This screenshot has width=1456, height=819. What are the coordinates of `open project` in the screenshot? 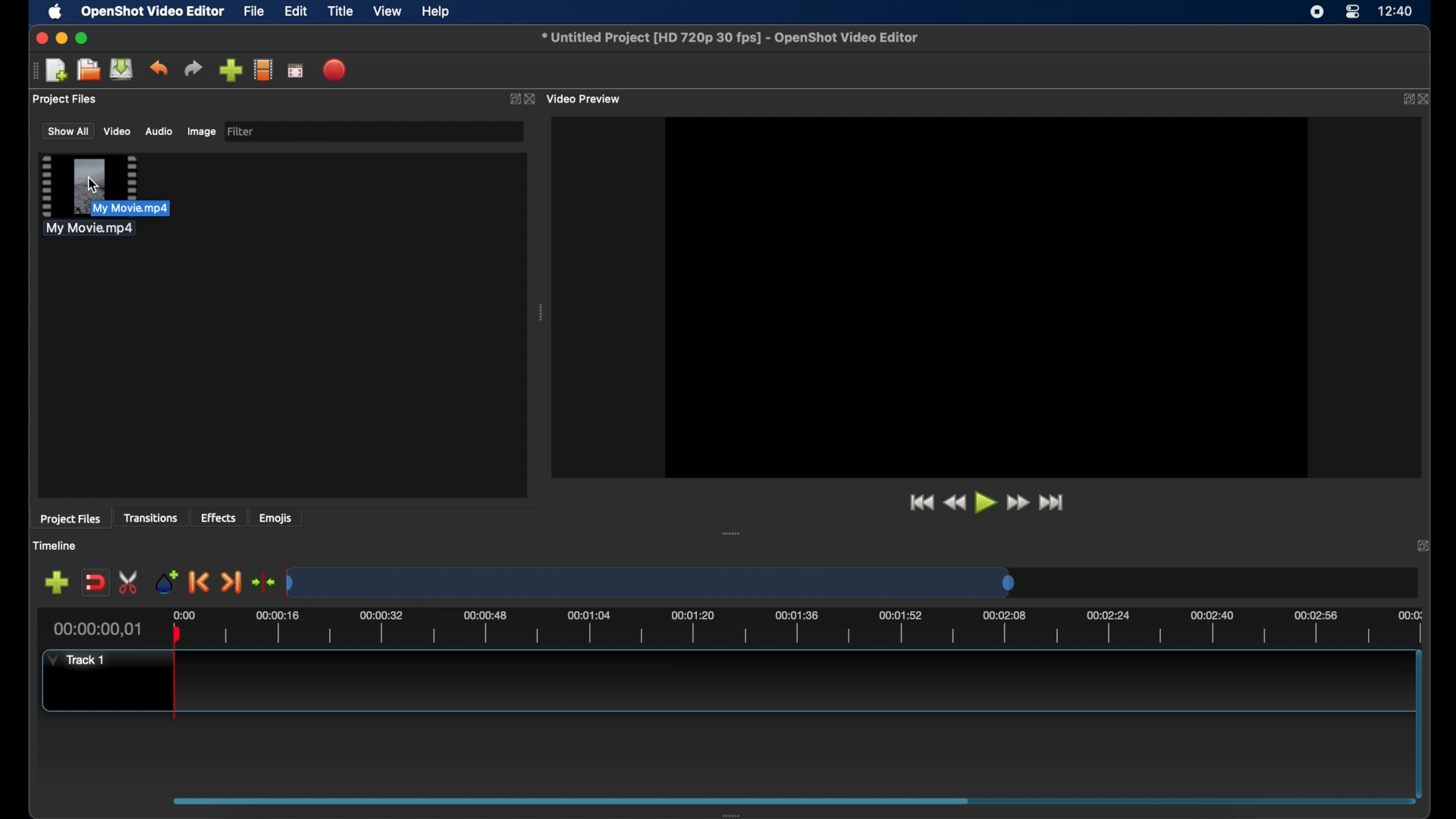 It's located at (88, 70).